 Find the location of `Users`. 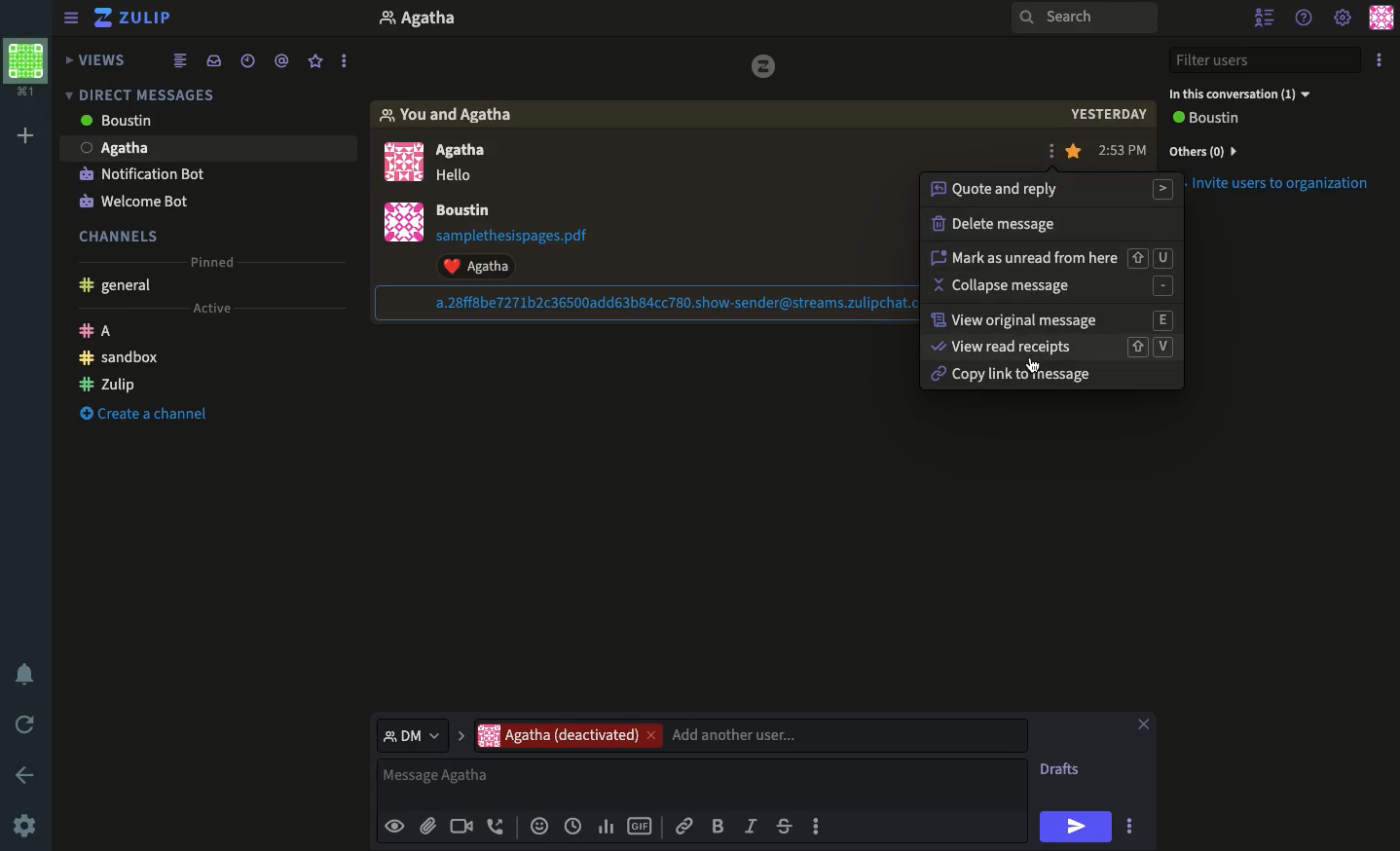

Users is located at coordinates (147, 123).